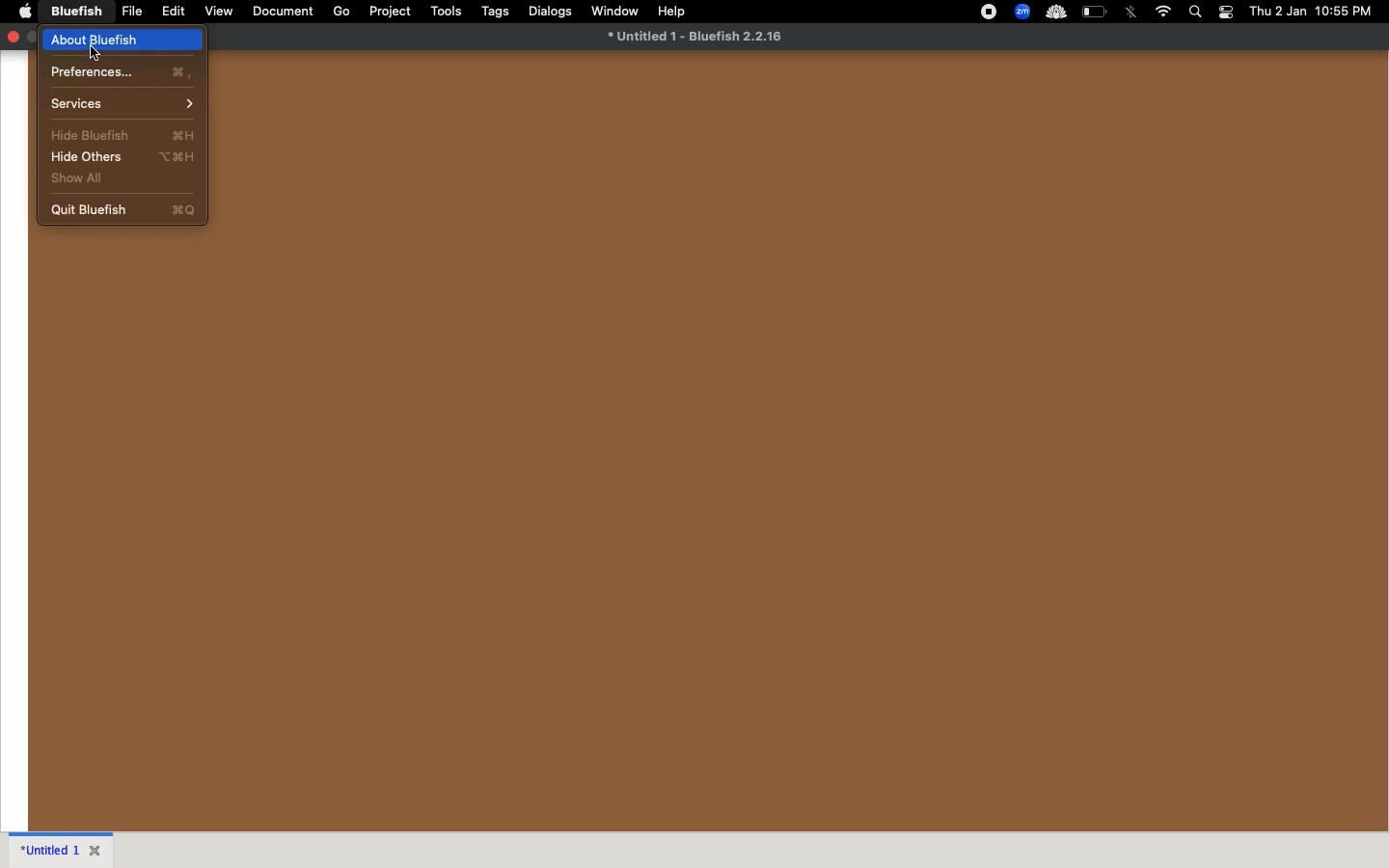 This screenshot has width=1389, height=868. I want to click on close, so click(97, 849).